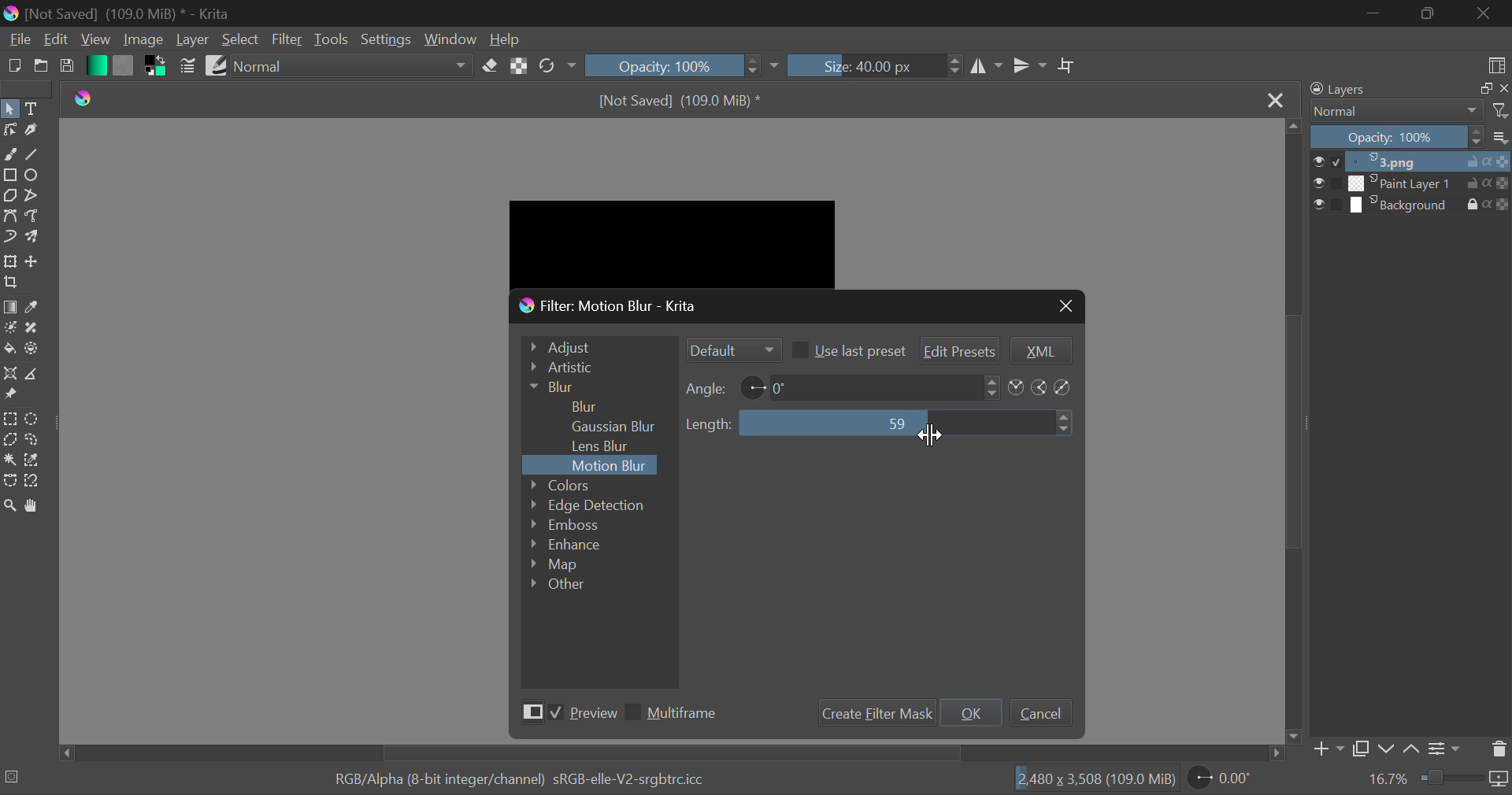  I want to click on Length, so click(709, 424).